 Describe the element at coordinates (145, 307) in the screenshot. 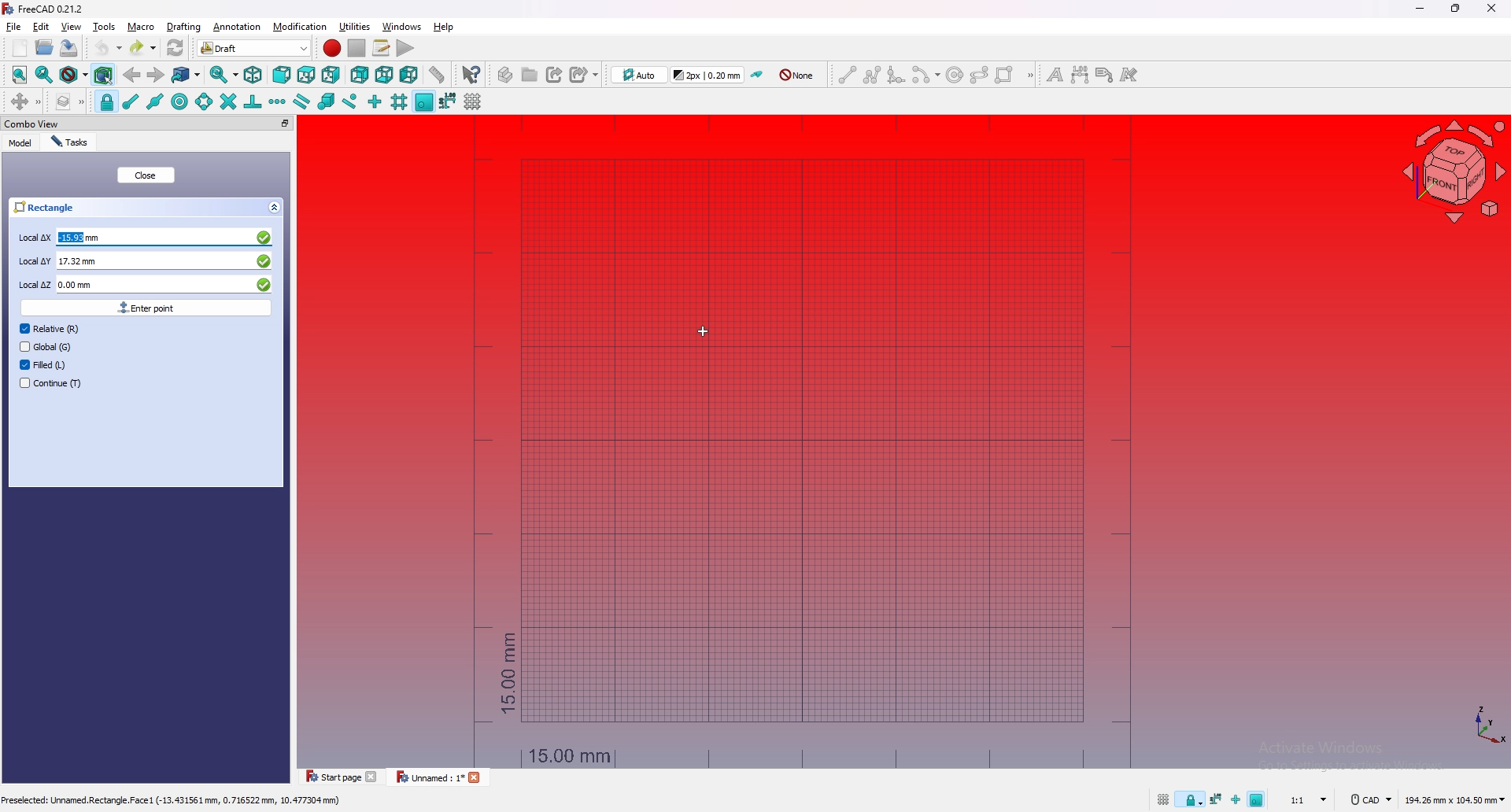

I see `enter point` at that location.